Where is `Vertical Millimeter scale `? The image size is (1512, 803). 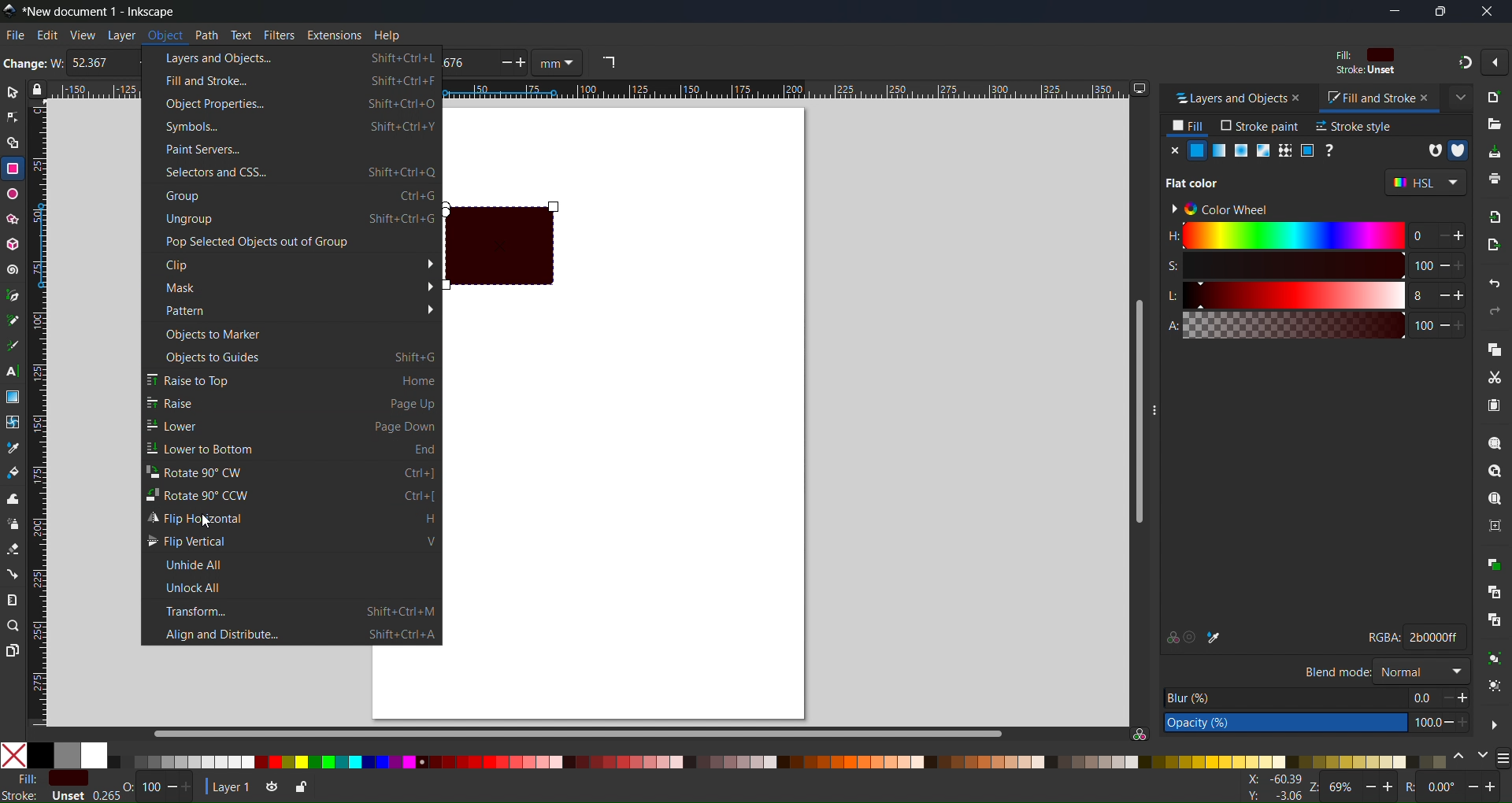 Vertical Millimeter scale  is located at coordinates (42, 416).